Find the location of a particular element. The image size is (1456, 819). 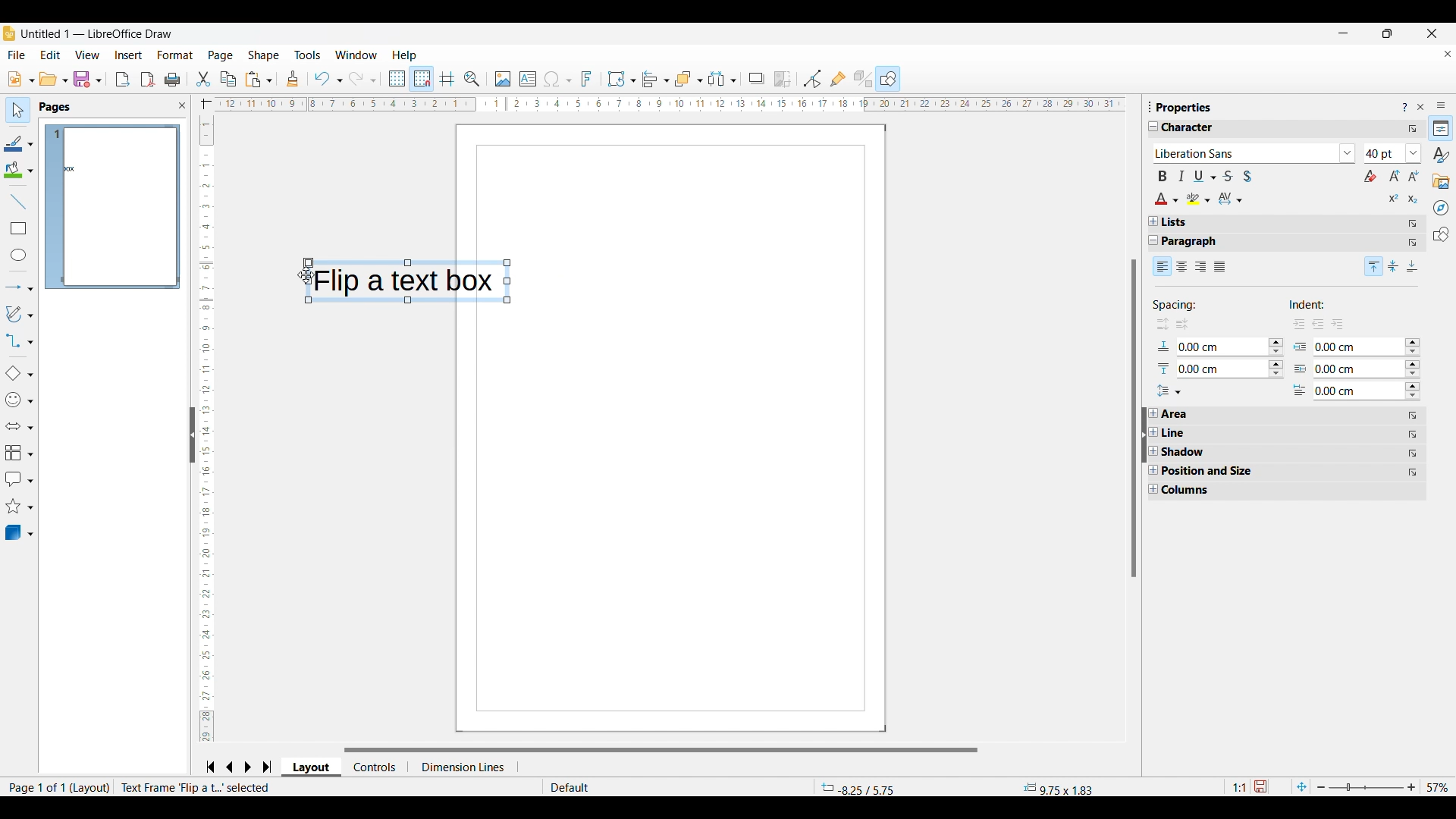

Indicates input for respective spacing options is located at coordinates (1164, 359).